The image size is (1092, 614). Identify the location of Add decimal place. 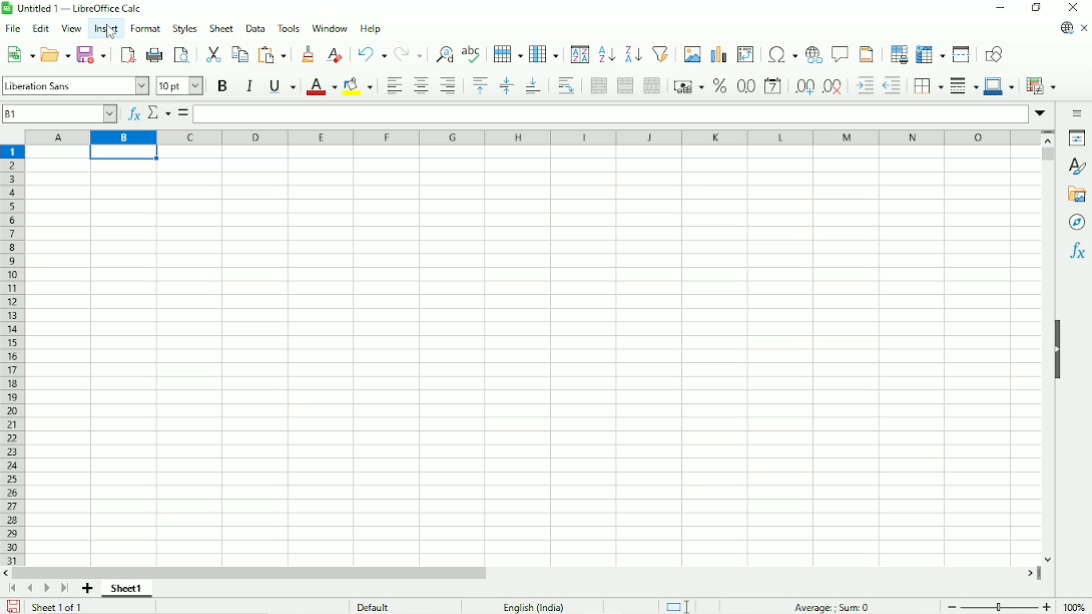
(802, 86).